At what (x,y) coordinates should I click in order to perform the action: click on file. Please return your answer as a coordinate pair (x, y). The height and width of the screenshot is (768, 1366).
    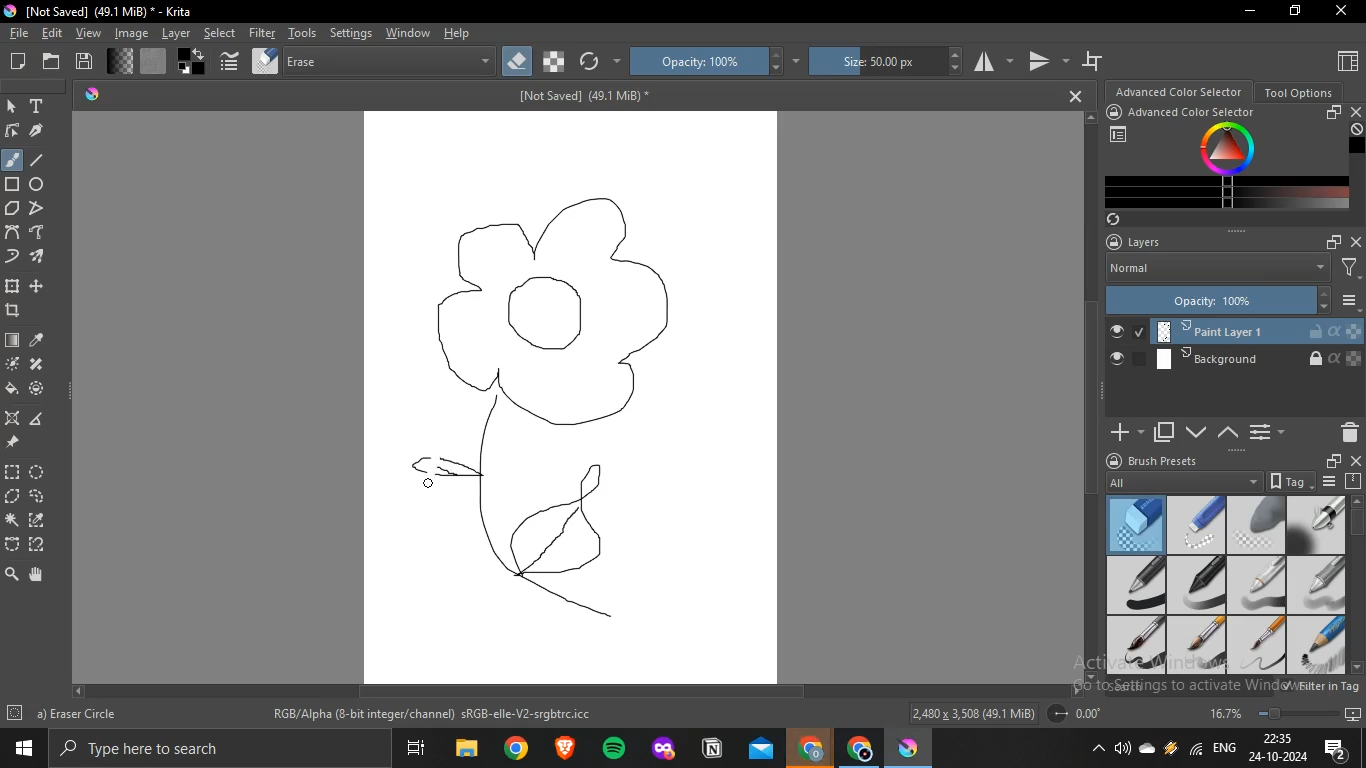
    Looking at the image, I should click on (20, 34).